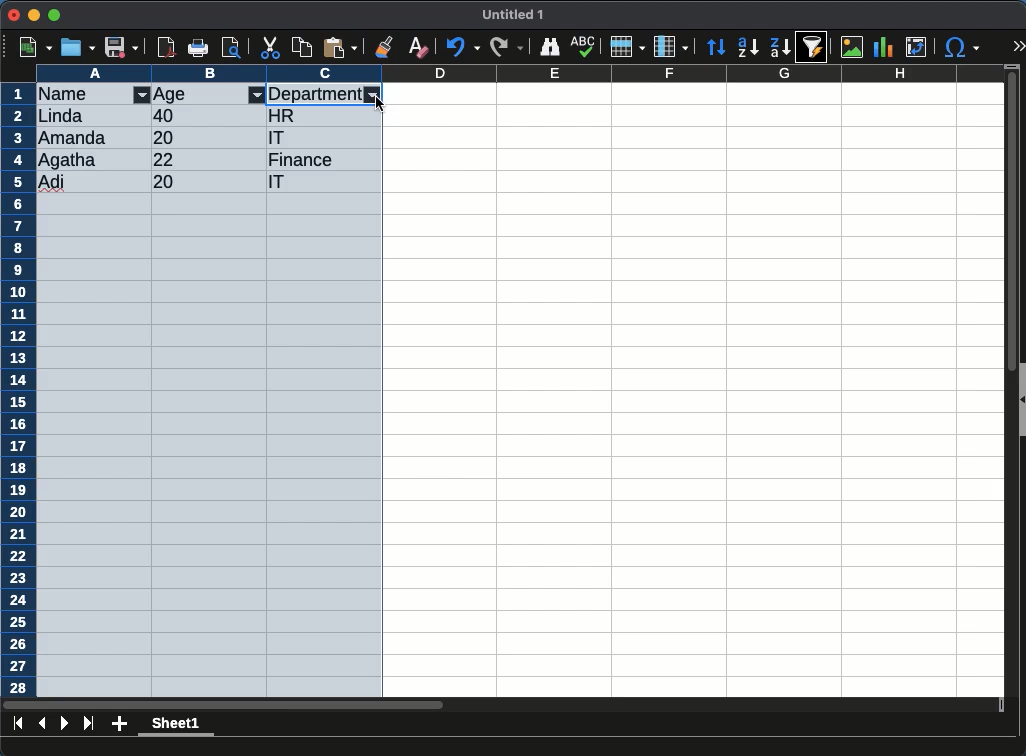 This screenshot has height=756, width=1026. What do you see at coordinates (340, 47) in the screenshot?
I see `paste` at bounding box center [340, 47].